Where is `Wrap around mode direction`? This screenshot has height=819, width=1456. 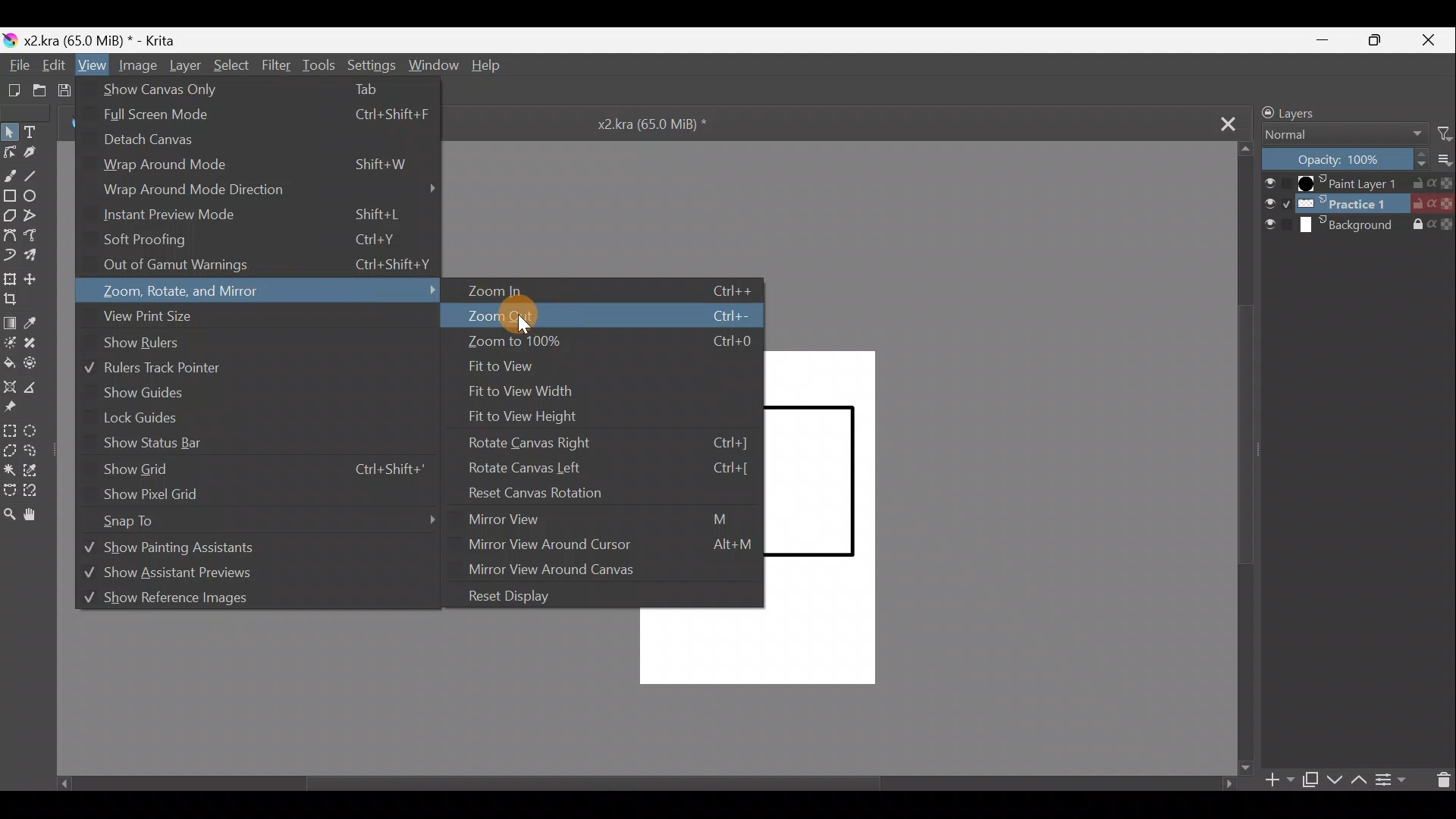
Wrap around mode direction is located at coordinates (270, 191).